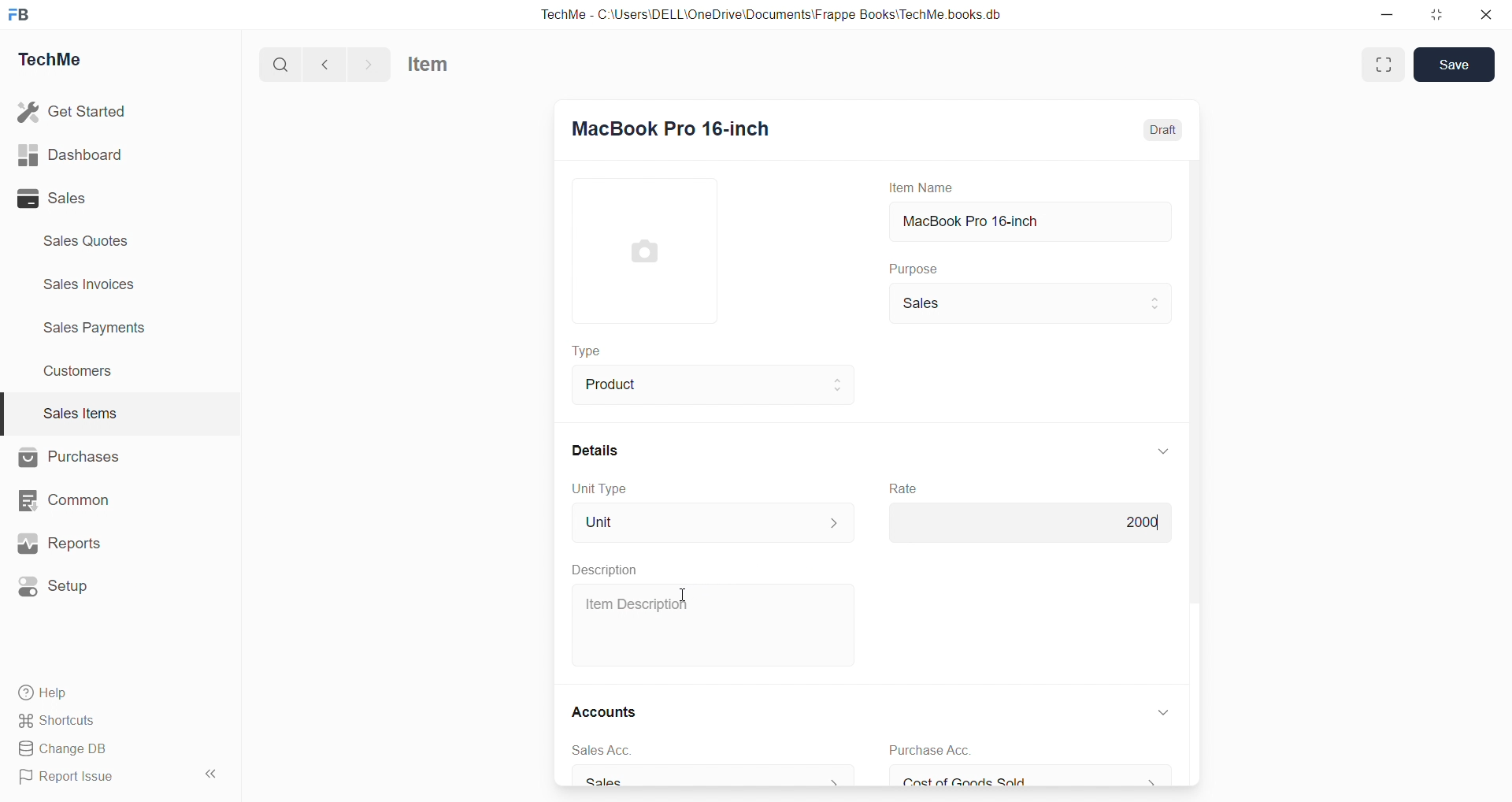 The image size is (1512, 802). What do you see at coordinates (600, 751) in the screenshot?
I see `sales Acc` at bounding box center [600, 751].